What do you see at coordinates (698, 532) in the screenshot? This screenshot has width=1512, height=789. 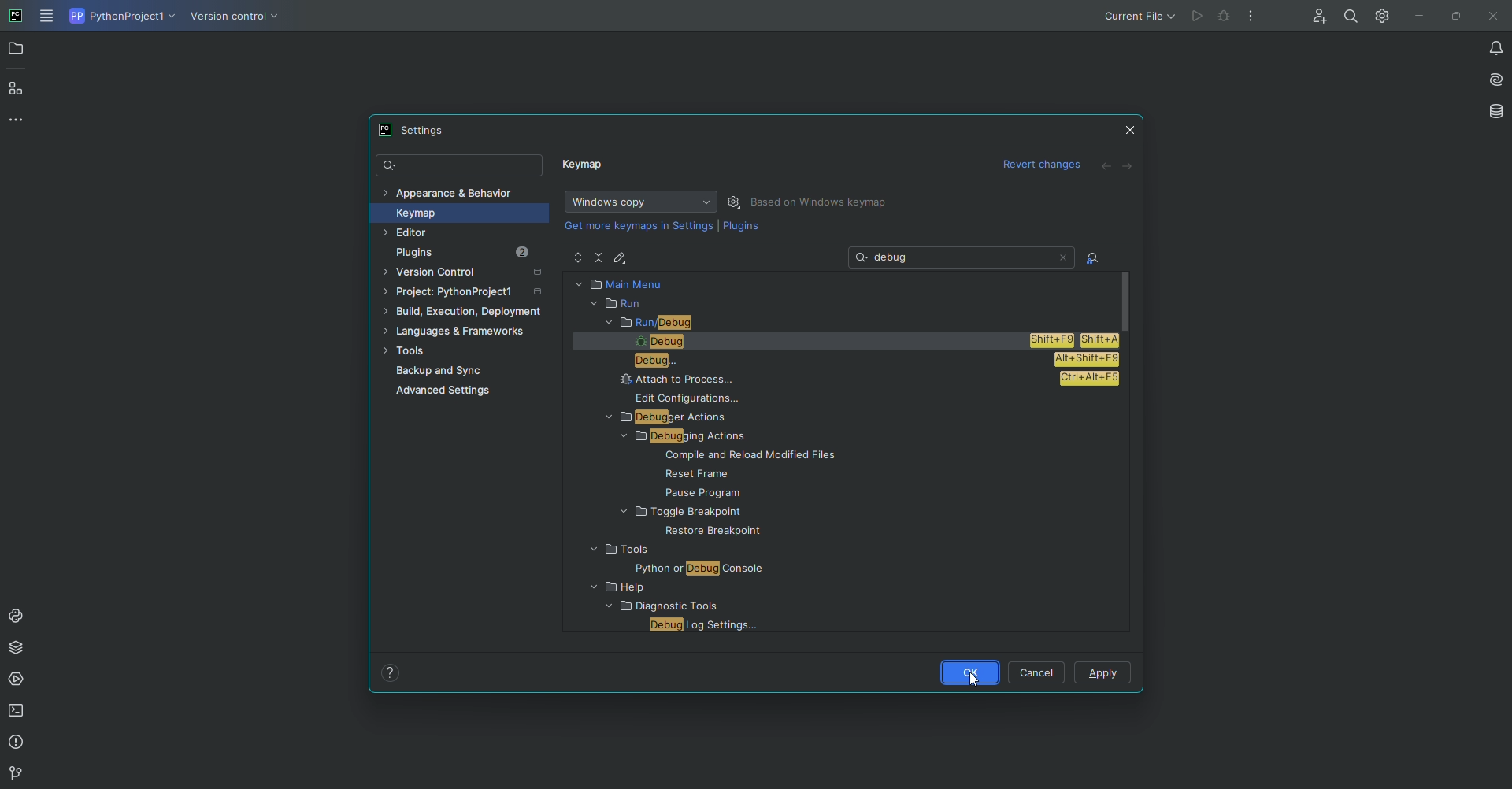 I see `FILE NAME` at bounding box center [698, 532].